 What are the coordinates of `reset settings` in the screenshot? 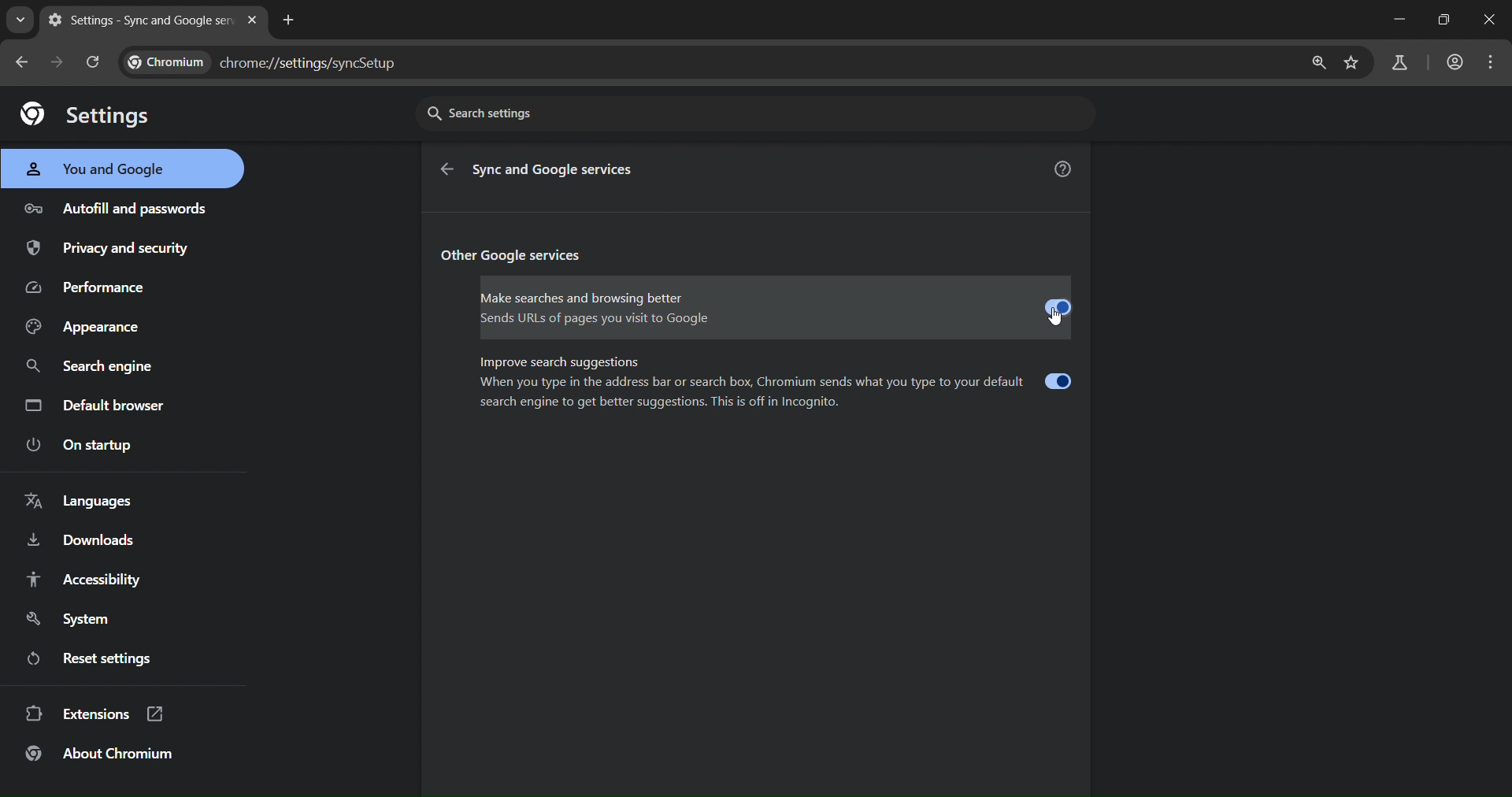 It's located at (107, 658).